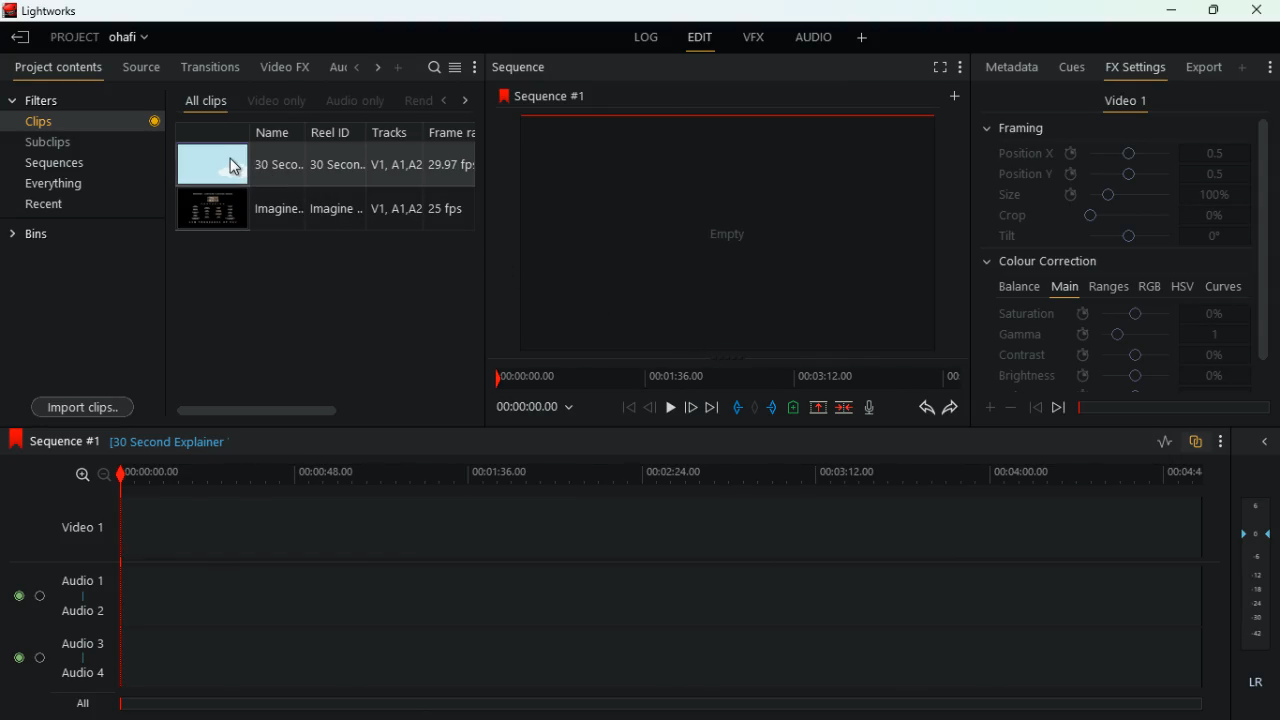 The width and height of the screenshot is (1280, 720). Describe the element at coordinates (1113, 238) in the screenshot. I see `tilt` at that location.